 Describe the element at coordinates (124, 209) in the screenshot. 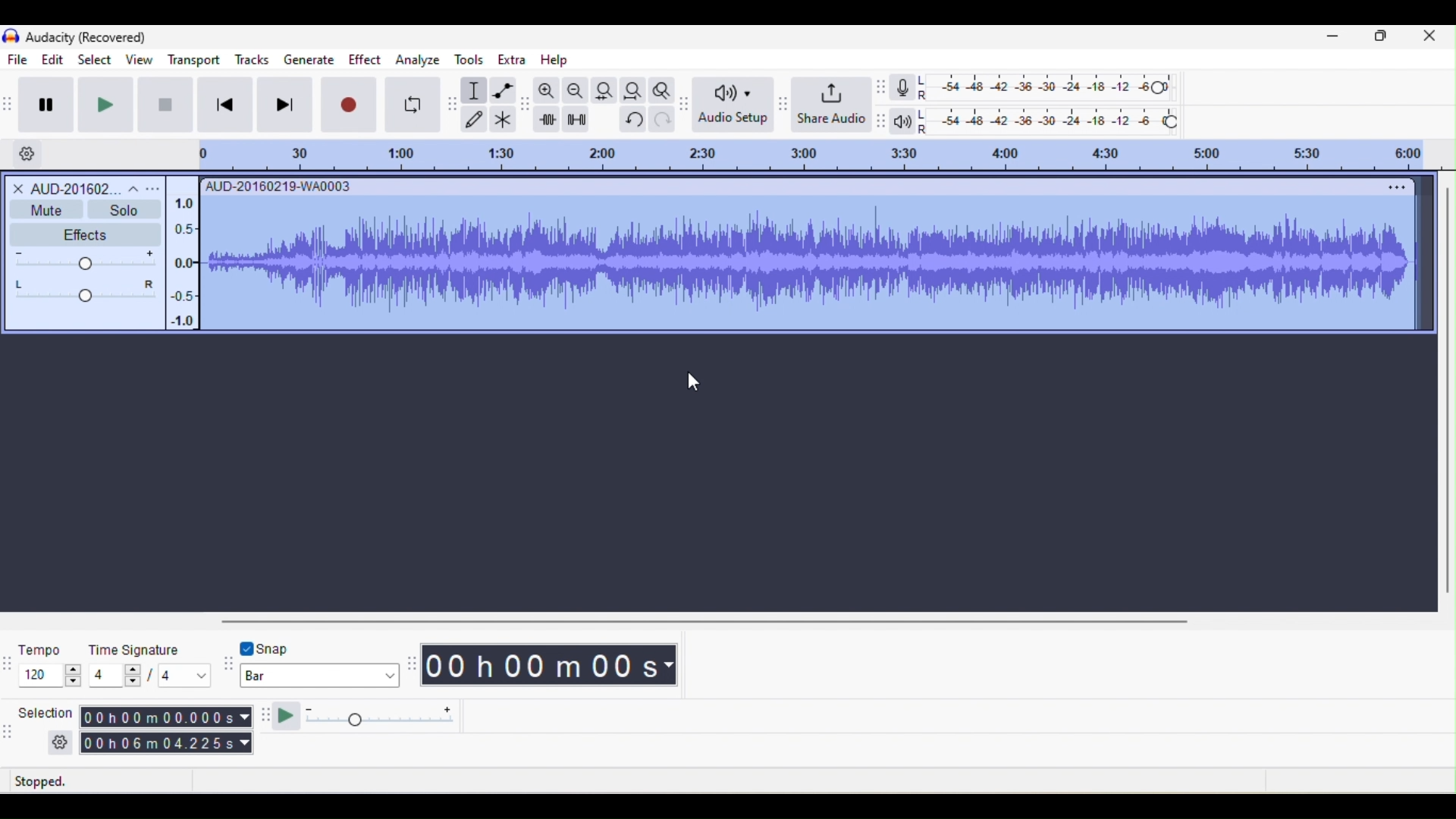

I see `Solo` at that location.